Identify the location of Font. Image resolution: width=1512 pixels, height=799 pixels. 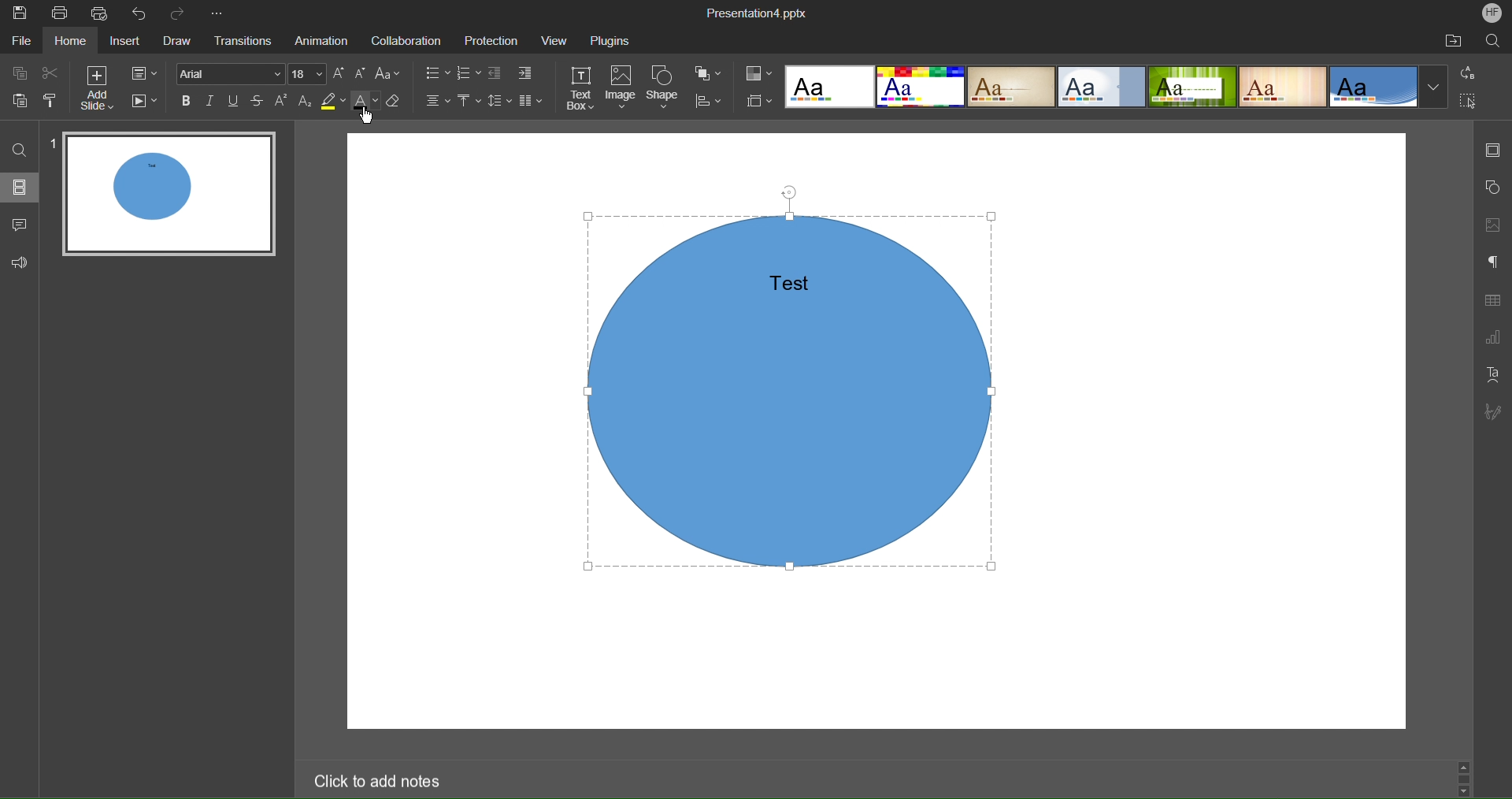
(232, 75).